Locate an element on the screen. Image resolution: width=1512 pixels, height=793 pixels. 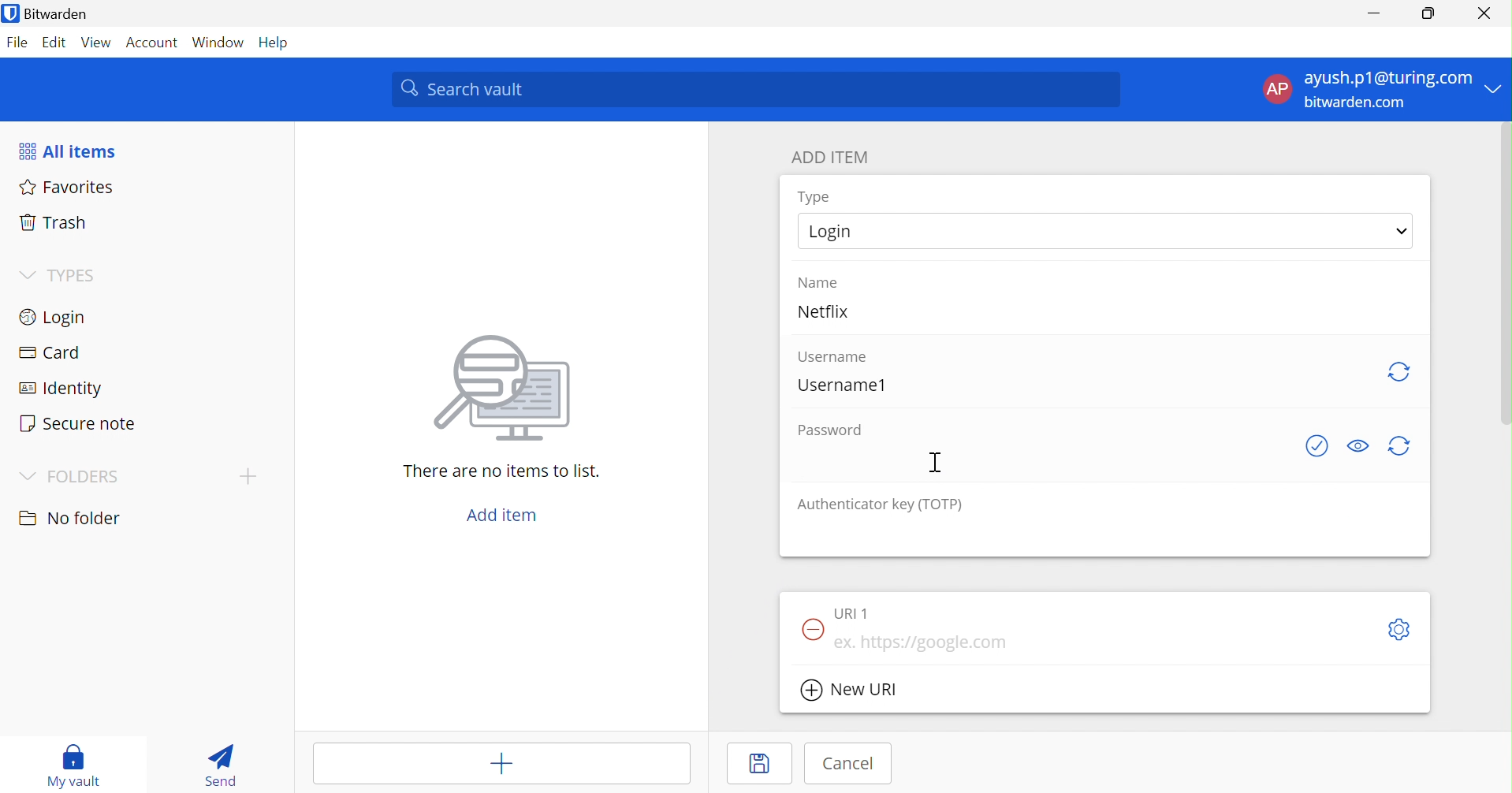
All items is located at coordinates (68, 149).